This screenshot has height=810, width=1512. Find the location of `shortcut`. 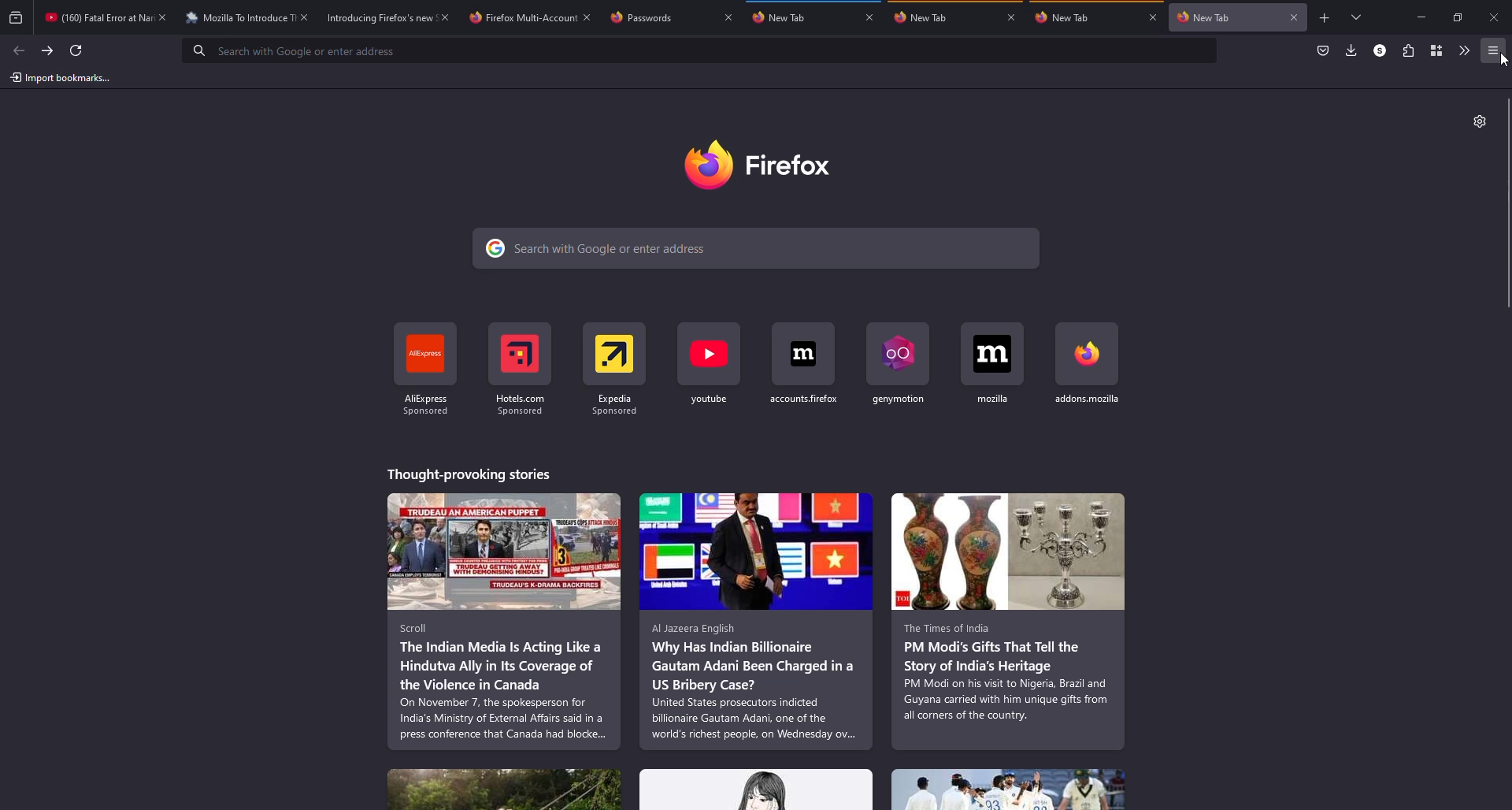

shortcut is located at coordinates (1085, 364).